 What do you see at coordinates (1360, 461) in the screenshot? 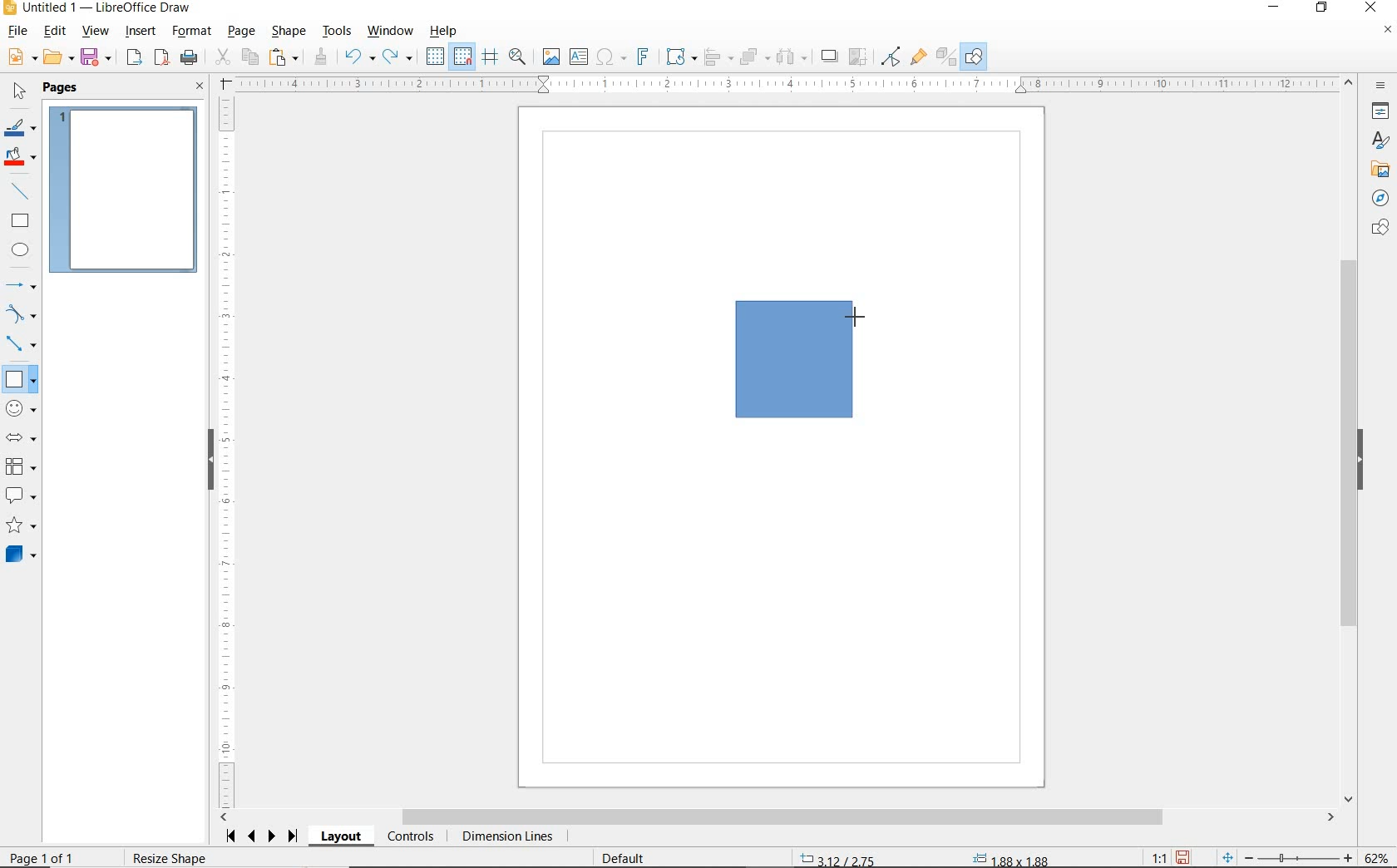
I see `HIDE` at bounding box center [1360, 461].